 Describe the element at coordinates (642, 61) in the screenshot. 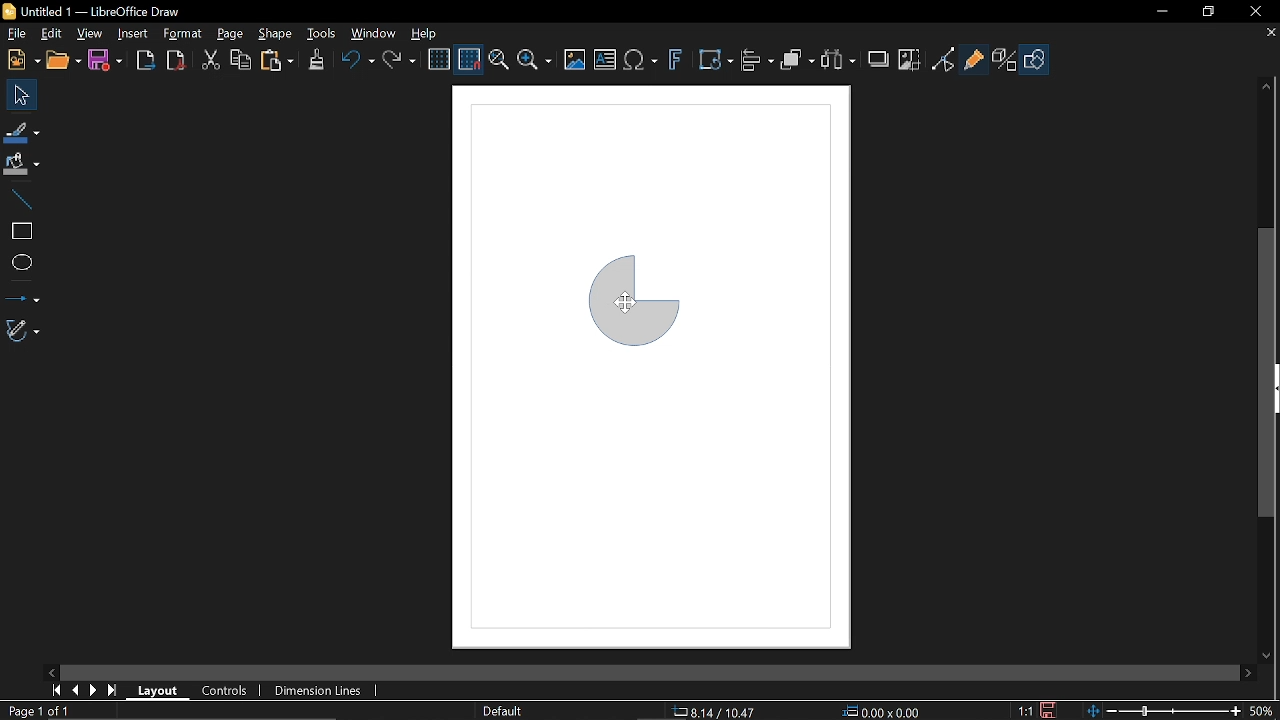

I see `insert equation` at that location.